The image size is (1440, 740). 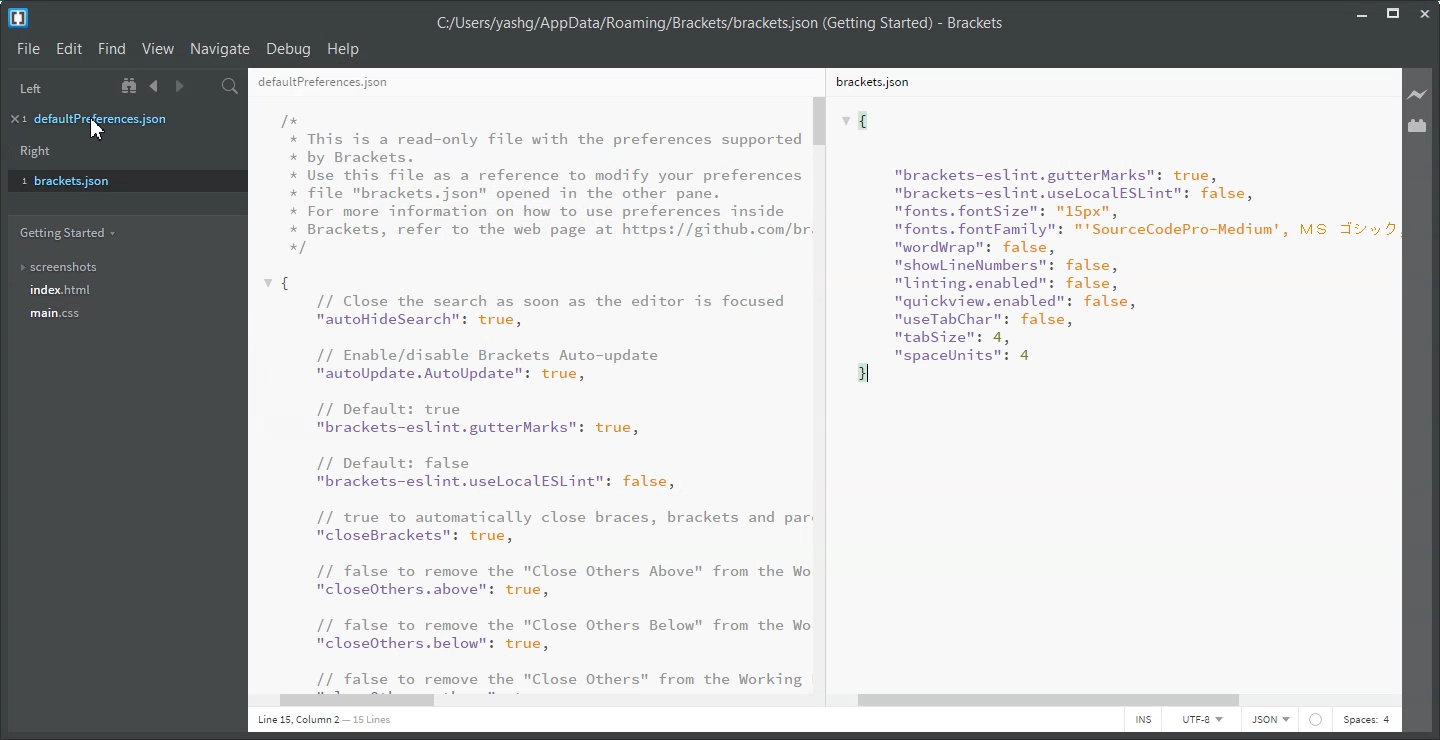 What do you see at coordinates (522, 81) in the screenshot?
I see `defaultpreferences.json File` at bounding box center [522, 81].